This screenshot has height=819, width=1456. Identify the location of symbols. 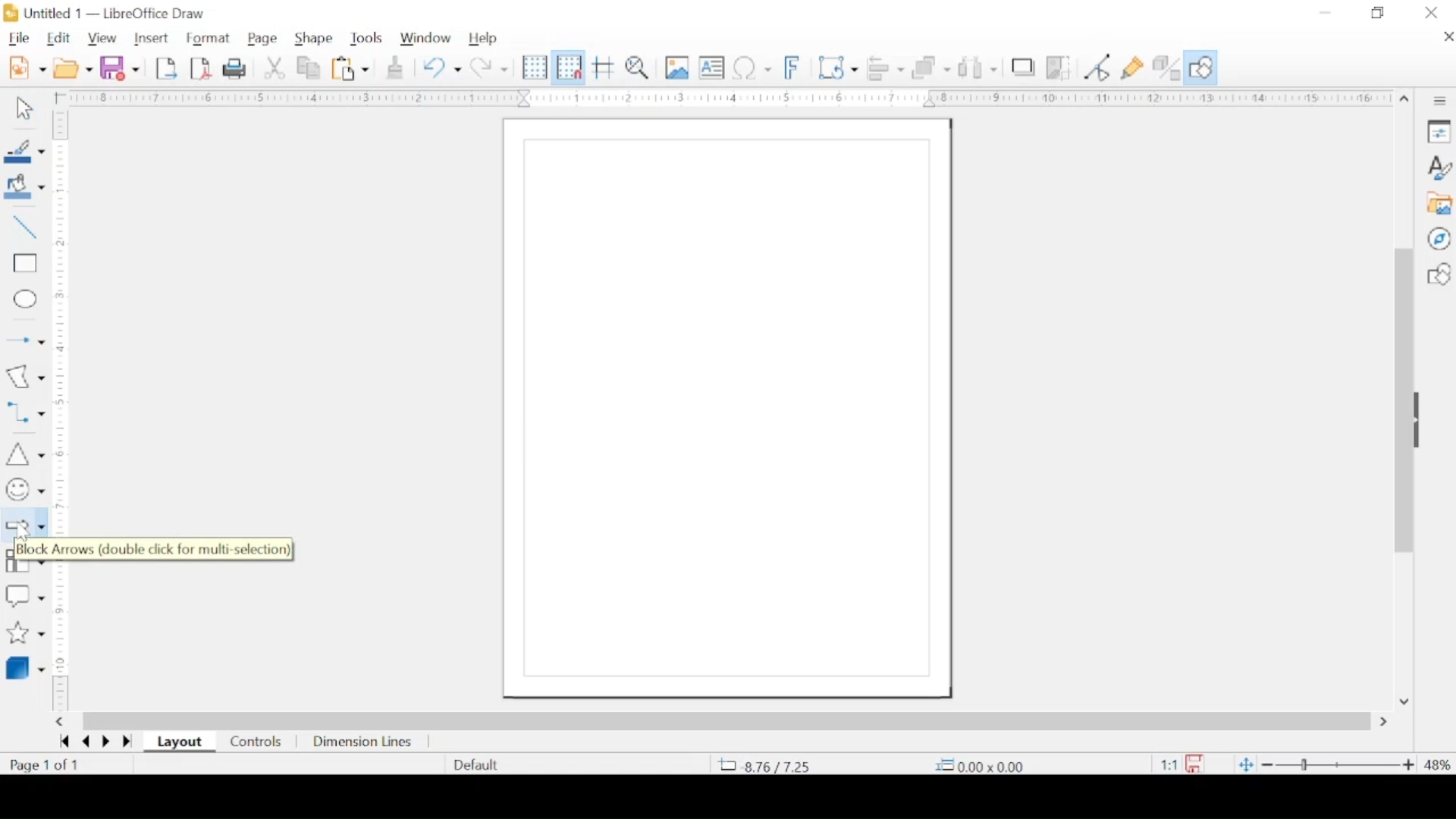
(24, 490).